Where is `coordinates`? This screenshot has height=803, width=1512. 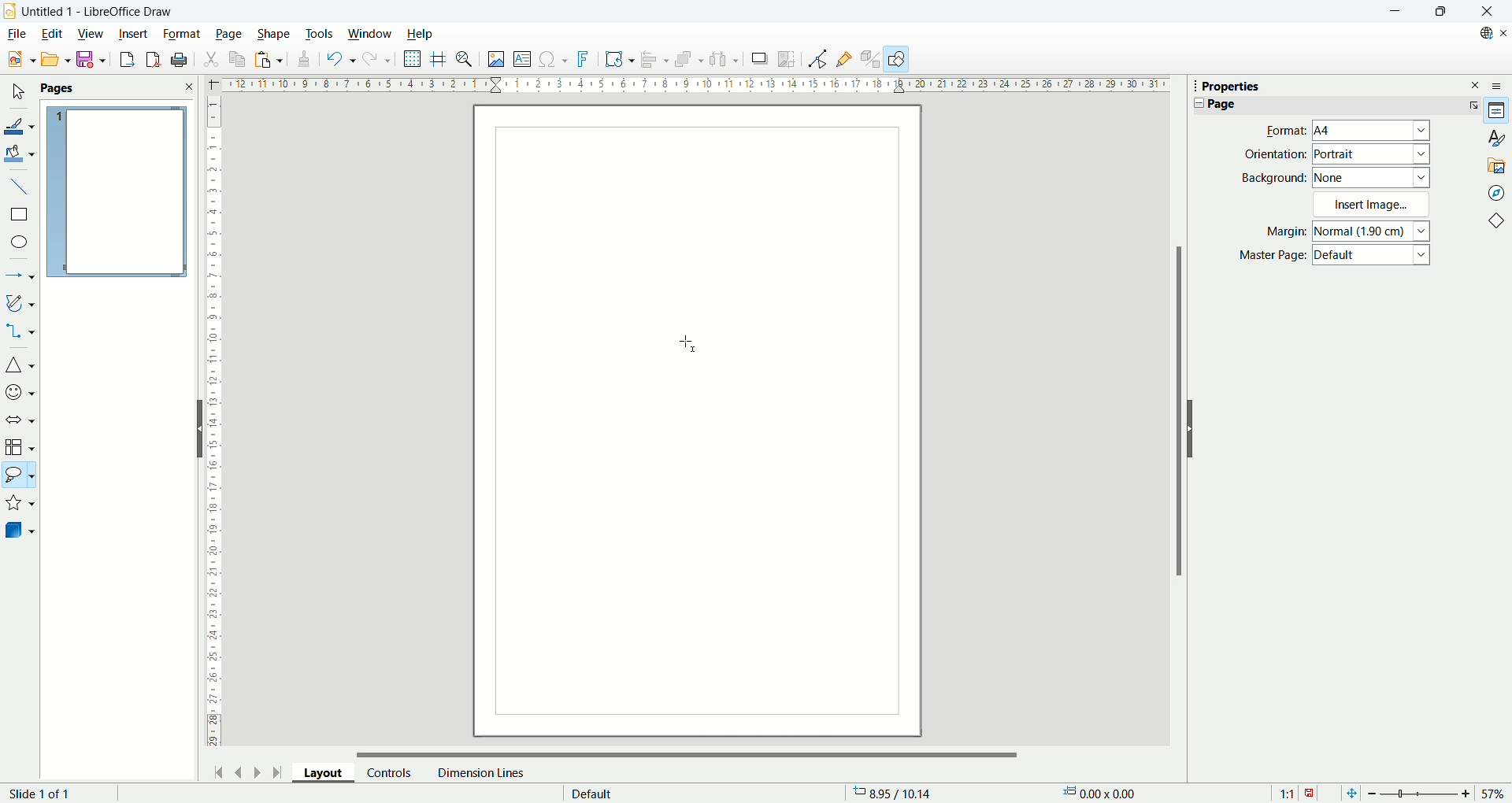
coordinates is located at coordinates (900, 794).